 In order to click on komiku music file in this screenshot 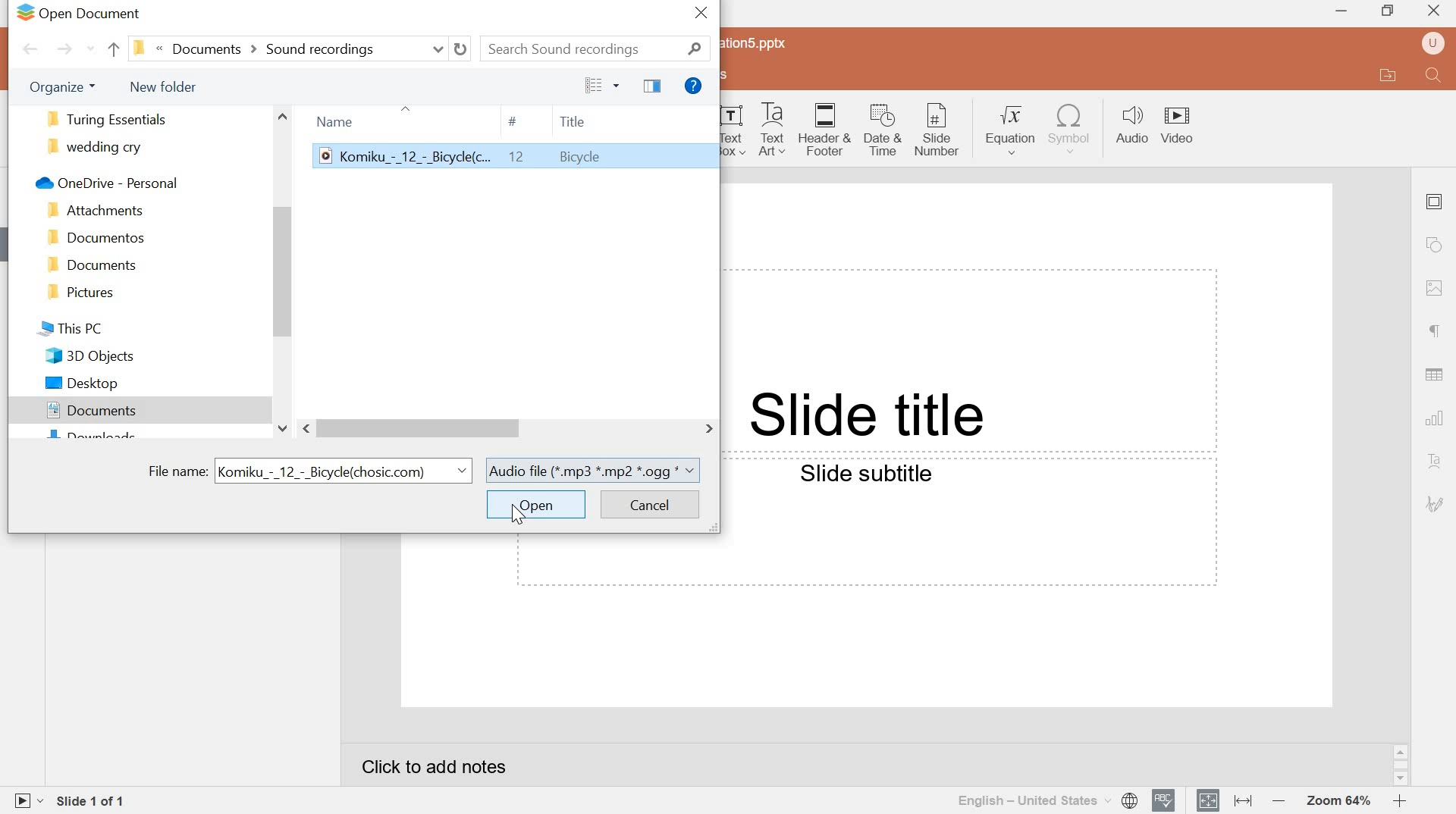, I will do `click(515, 156)`.